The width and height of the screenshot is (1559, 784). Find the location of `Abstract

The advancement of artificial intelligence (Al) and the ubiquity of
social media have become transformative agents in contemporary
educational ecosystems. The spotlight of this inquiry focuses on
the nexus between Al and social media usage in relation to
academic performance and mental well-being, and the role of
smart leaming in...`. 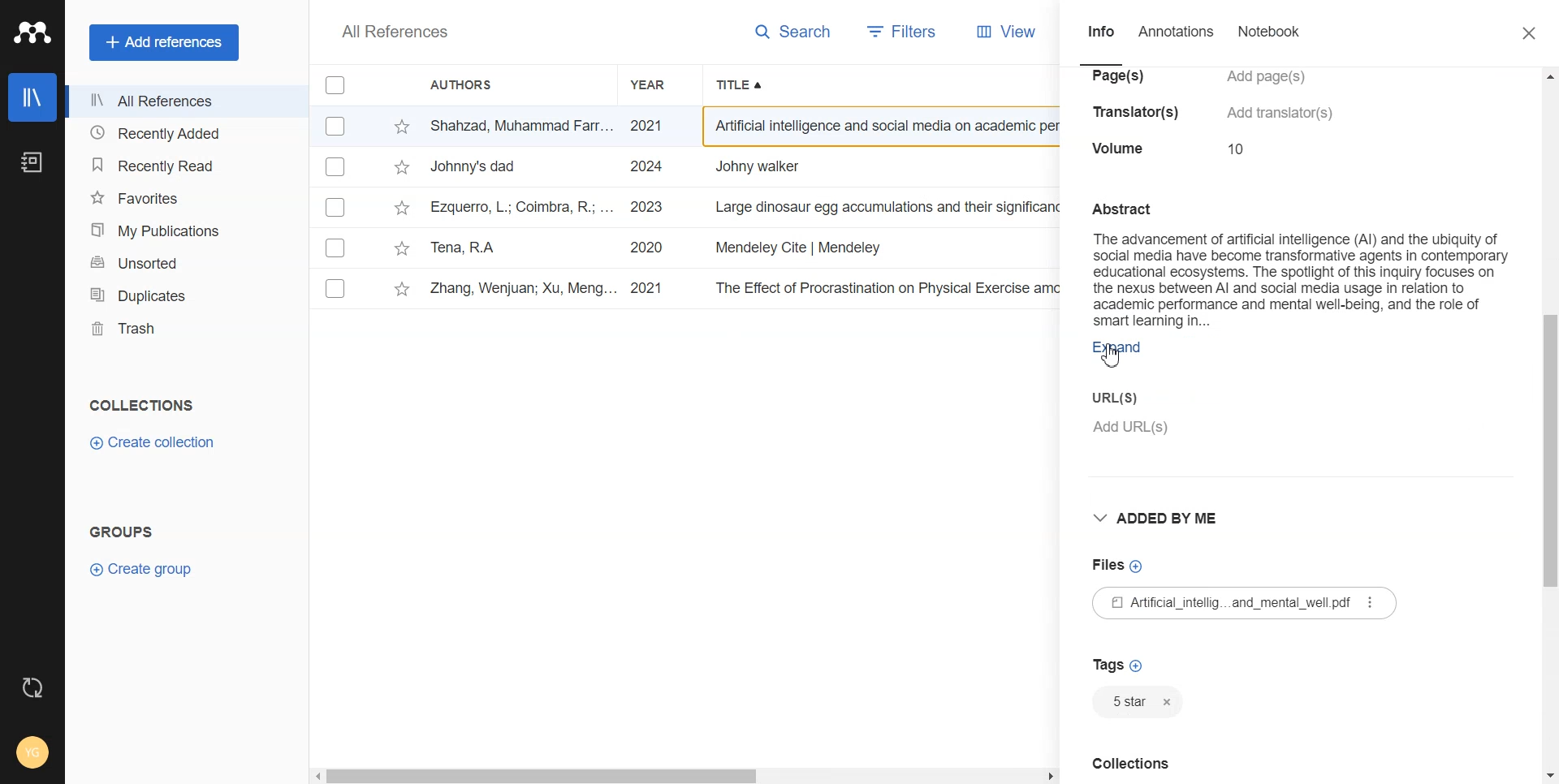

Abstract

The advancement of artificial intelligence (Al) and the ubiquity of
social media have become transformative agents in contemporary
educational ecosystems. The spotlight of this inquiry focuses on
the nexus between Al and social media usage in relation to
academic performance and mental well-being, and the role of
smart leaming in... is located at coordinates (1298, 264).